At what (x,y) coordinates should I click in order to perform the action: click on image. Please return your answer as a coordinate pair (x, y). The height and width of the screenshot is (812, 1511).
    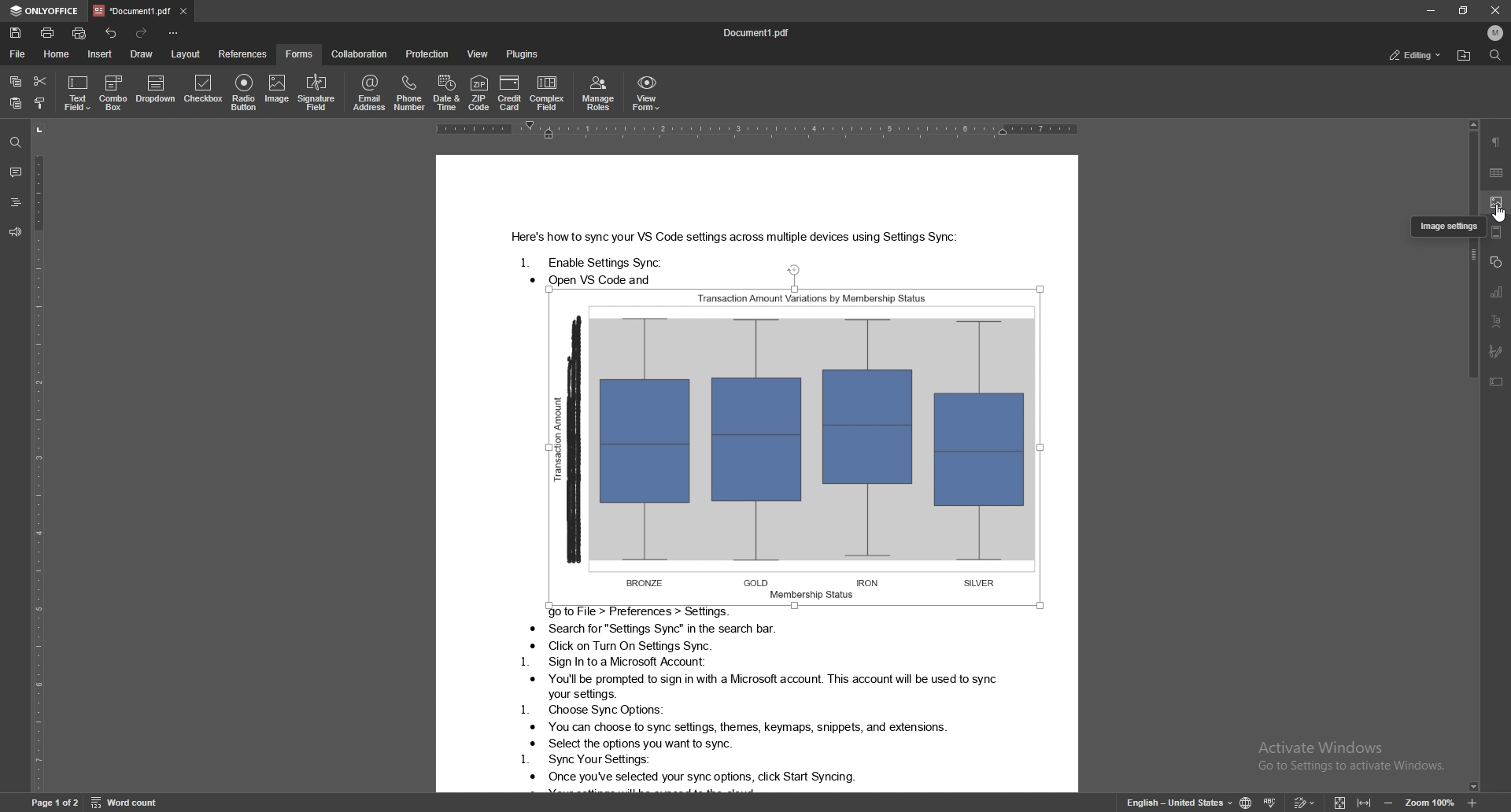
    Looking at the image, I should click on (276, 90).